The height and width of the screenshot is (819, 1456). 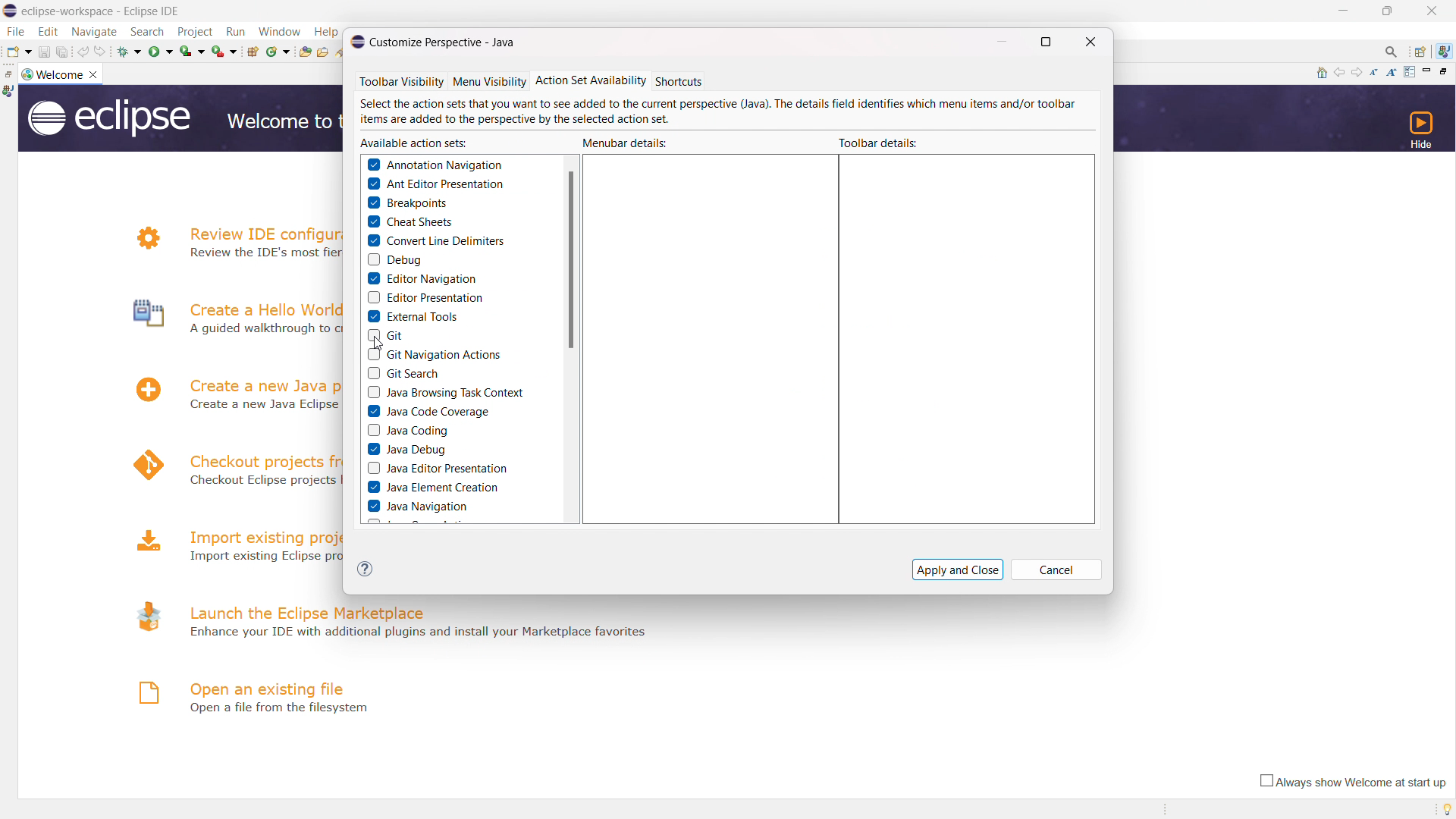 I want to click on run, so click(x=234, y=32).